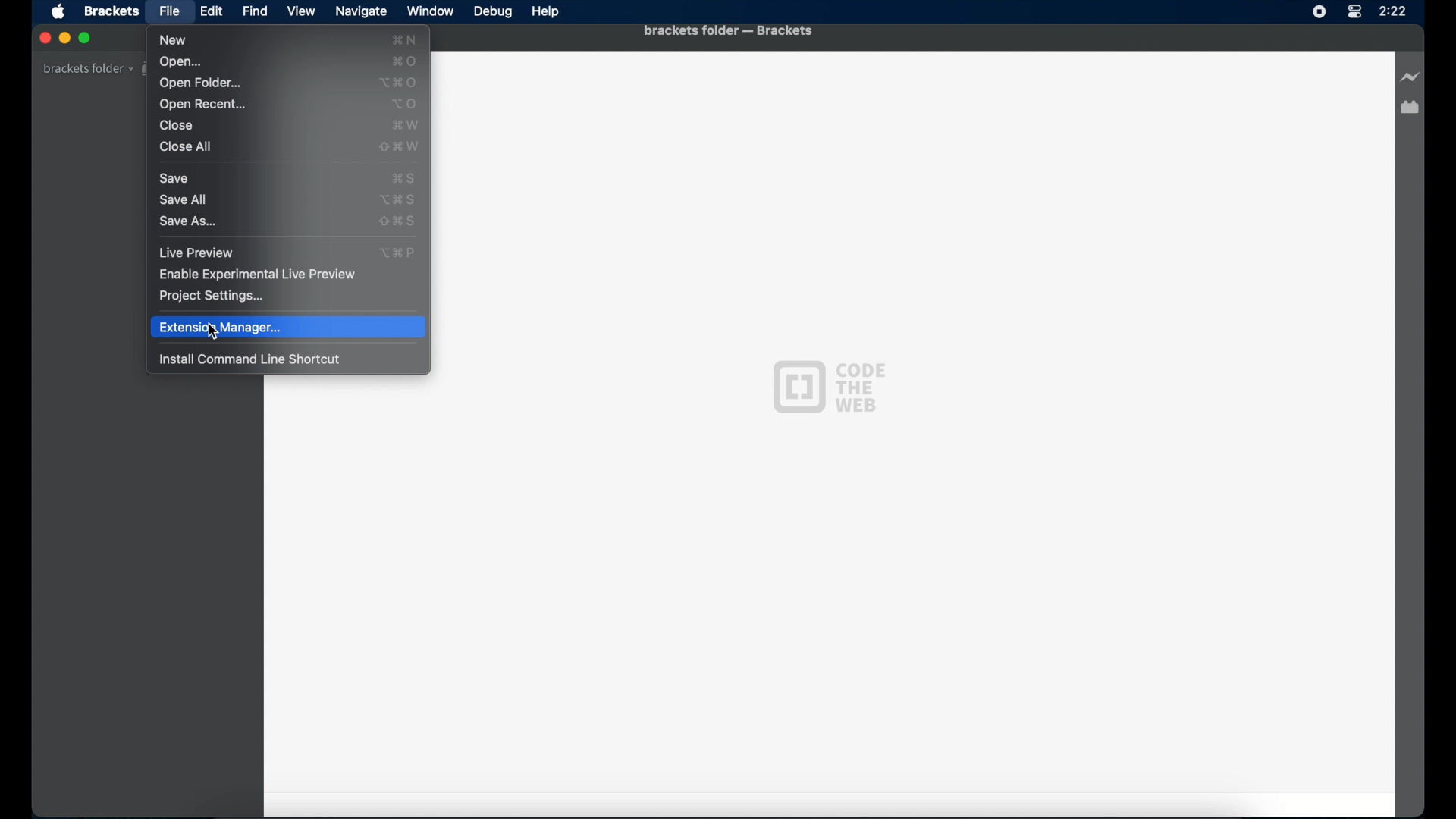 Image resolution: width=1456 pixels, height=819 pixels. What do you see at coordinates (287, 328) in the screenshot?
I see `extension manager` at bounding box center [287, 328].